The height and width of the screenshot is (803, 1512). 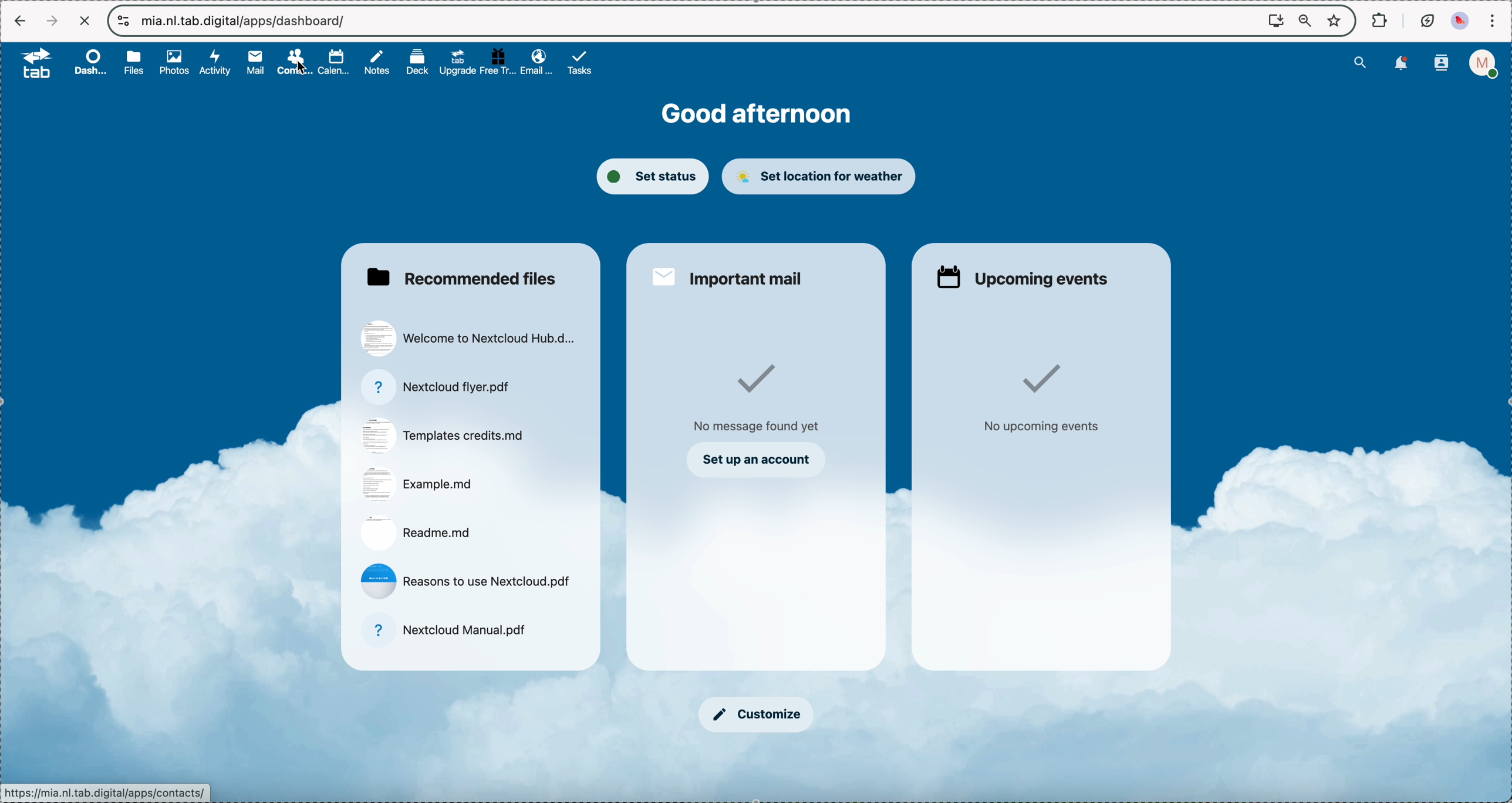 I want to click on click on contacts, so click(x=294, y=63).